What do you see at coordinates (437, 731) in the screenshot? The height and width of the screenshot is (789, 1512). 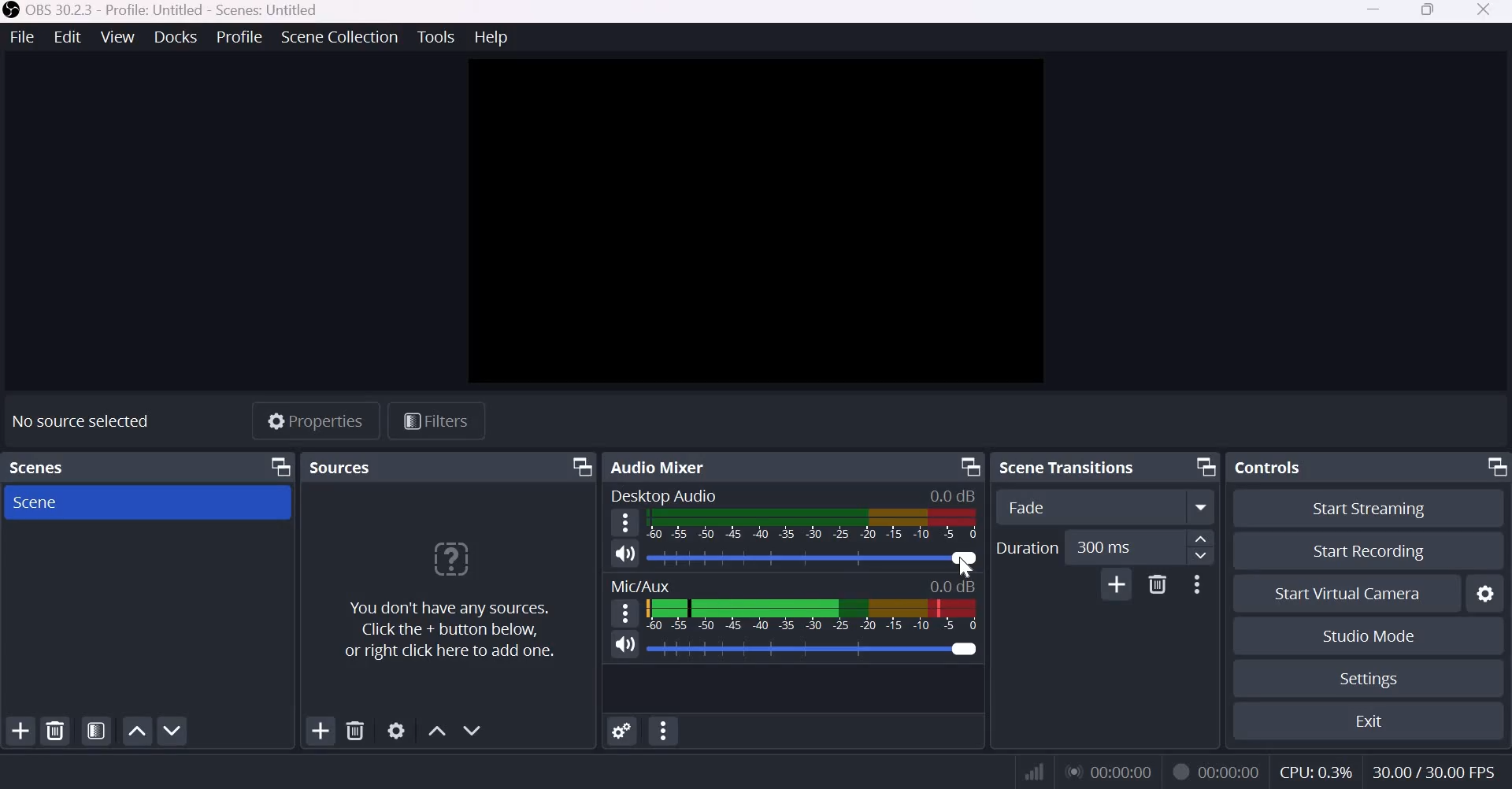 I see `Move source(s) up` at bounding box center [437, 731].